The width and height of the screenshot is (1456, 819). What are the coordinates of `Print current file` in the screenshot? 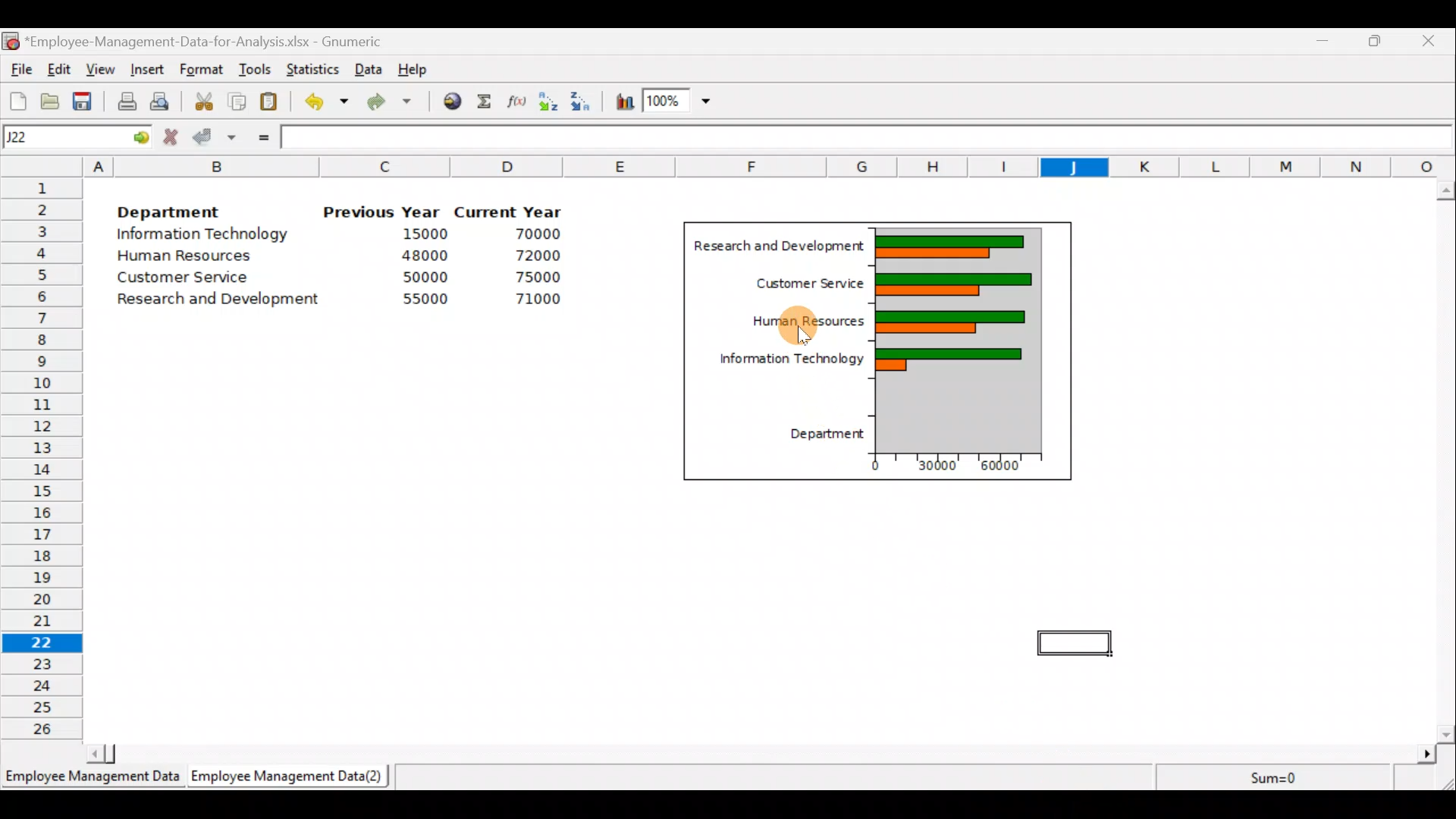 It's located at (124, 99).